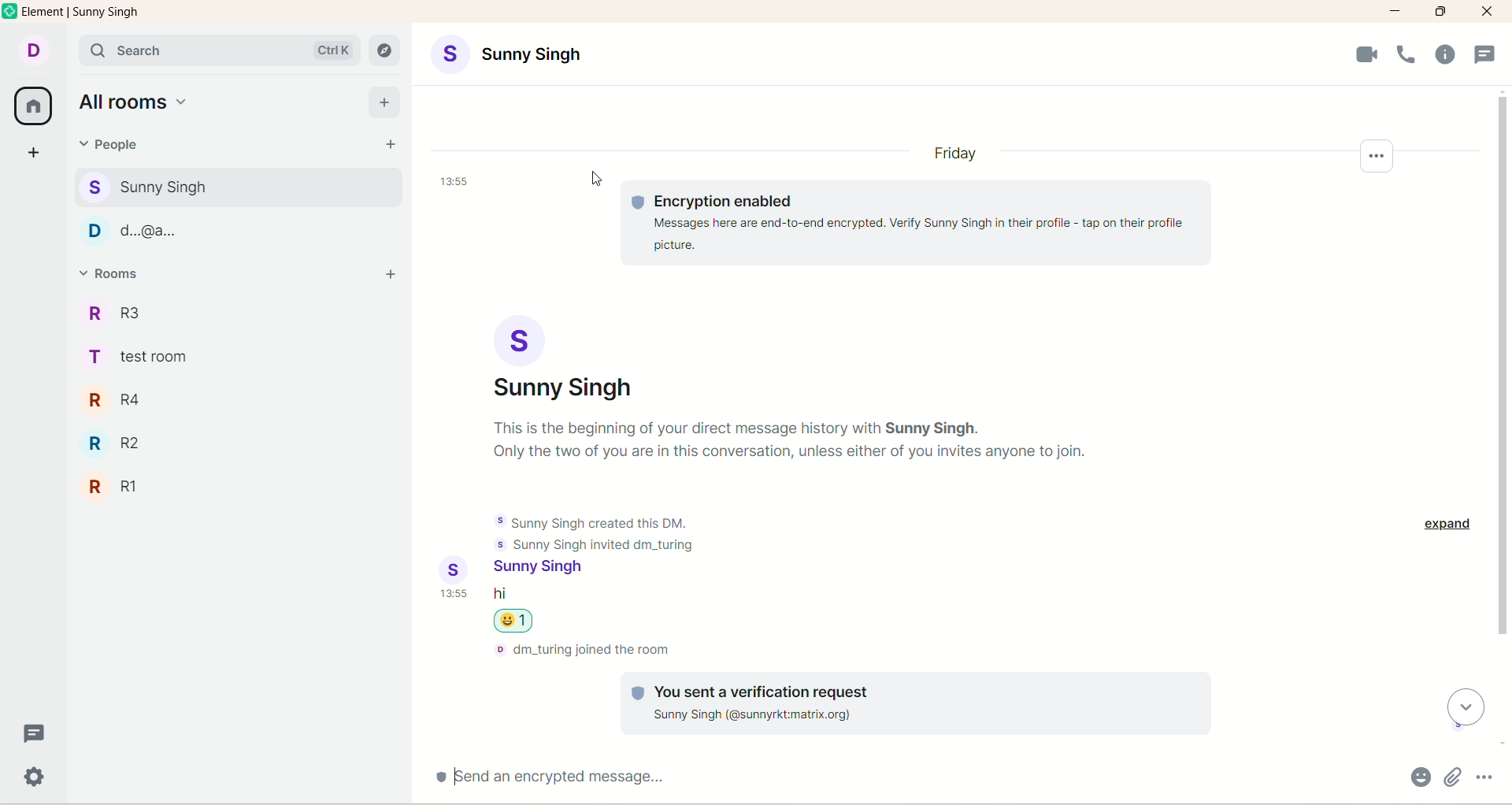 This screenshot has width=1512, height=805. What do you see at coordinates (34, 154) in the screenshot?
I see `create a space` at bounding box center [34, 154].